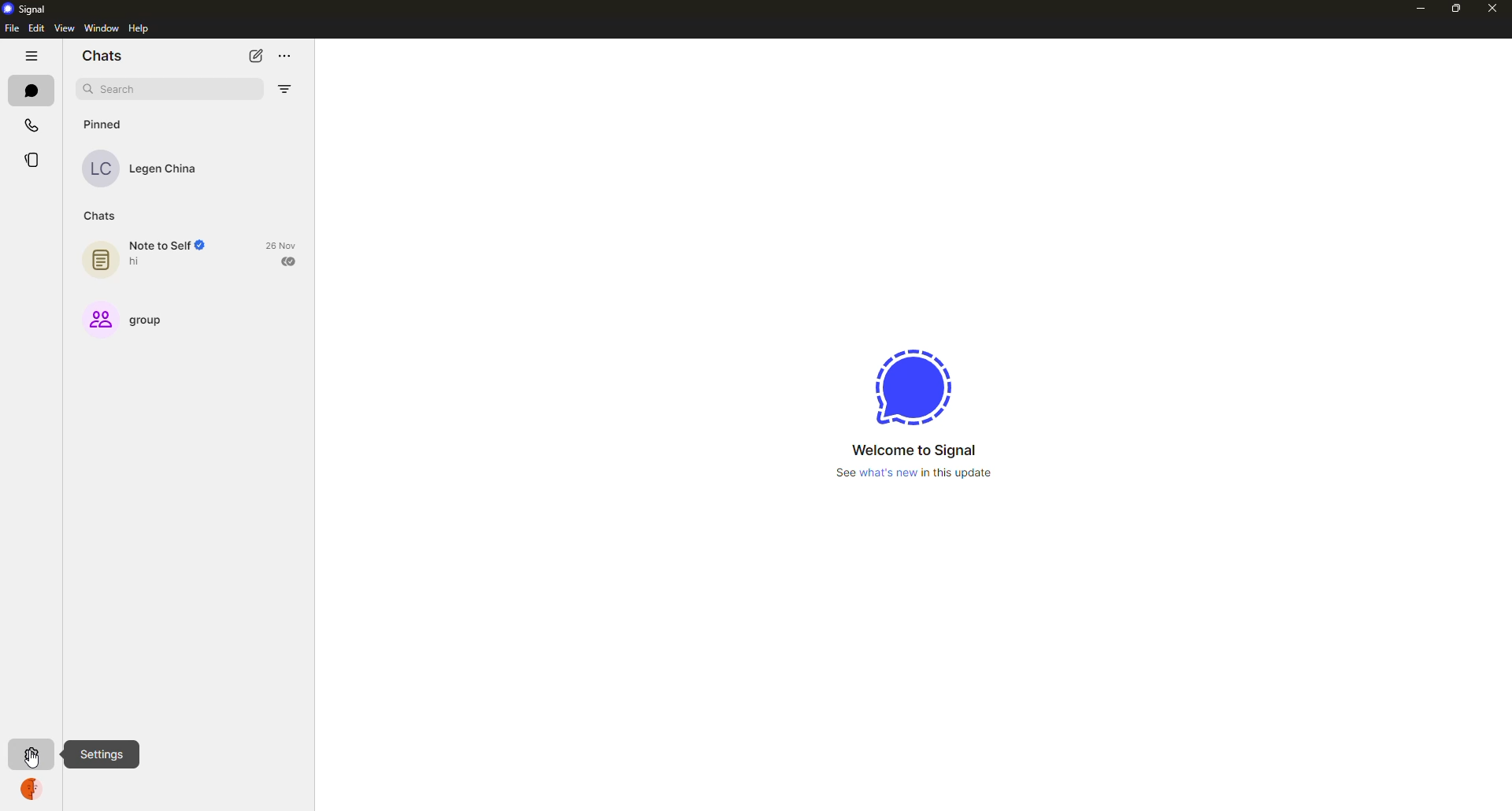  Describe the element at coordinates (107, 124) in the screenshot. I see `pinned` at that location.